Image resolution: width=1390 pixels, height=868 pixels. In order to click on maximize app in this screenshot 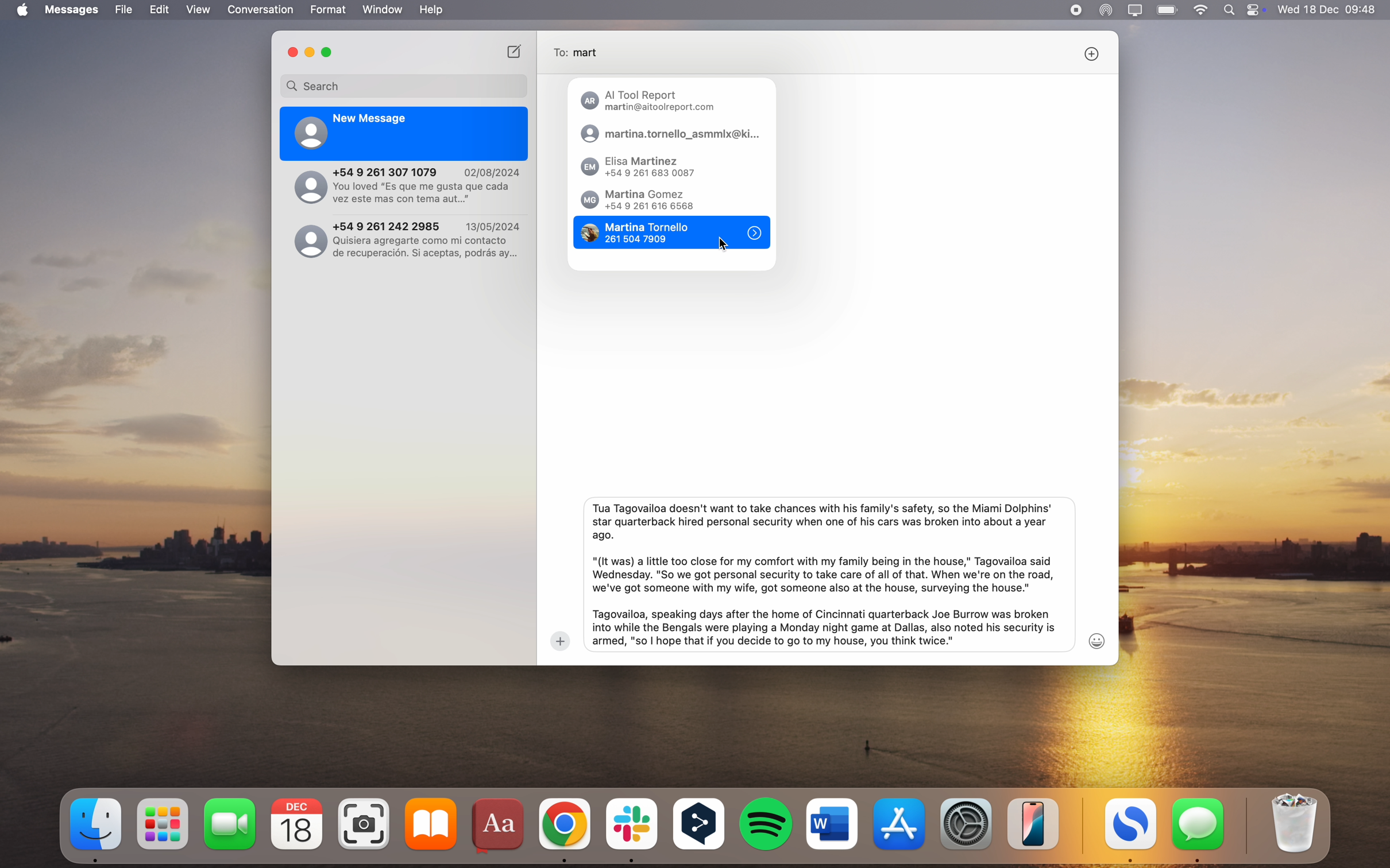, I will do `click(329, 52)`.